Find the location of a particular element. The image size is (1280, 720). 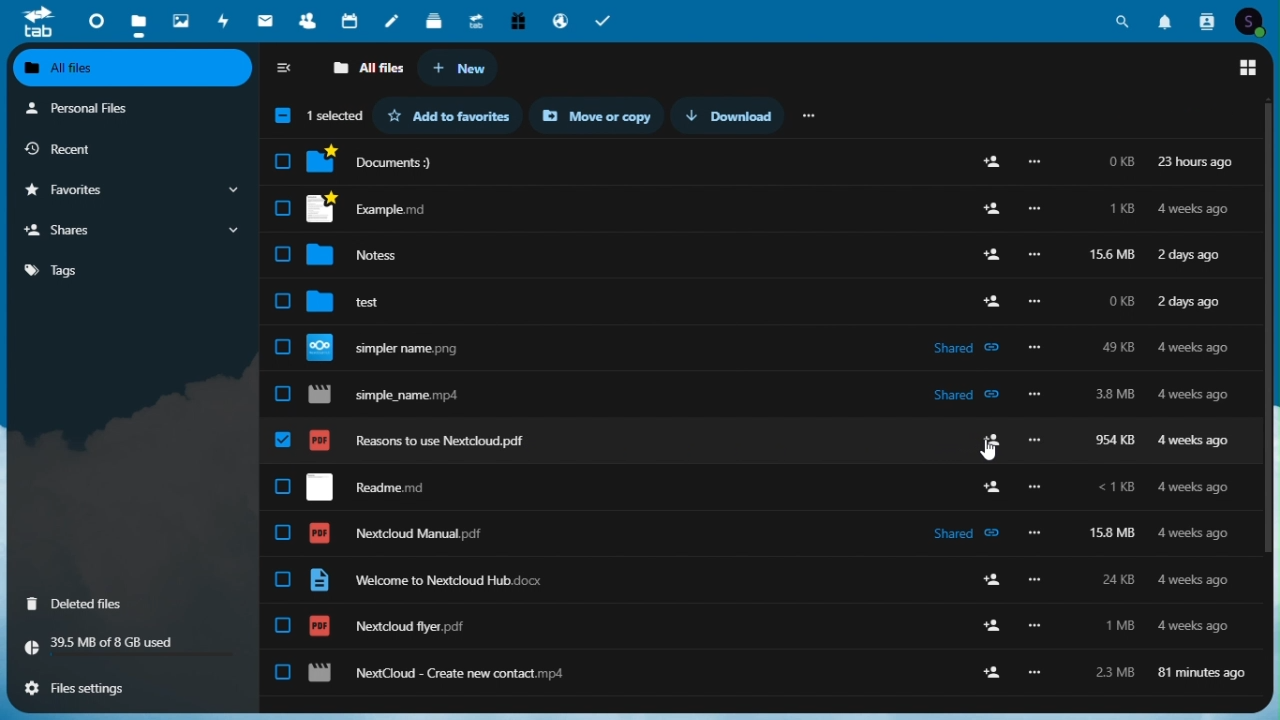

test is located at coordinates (368, 299).